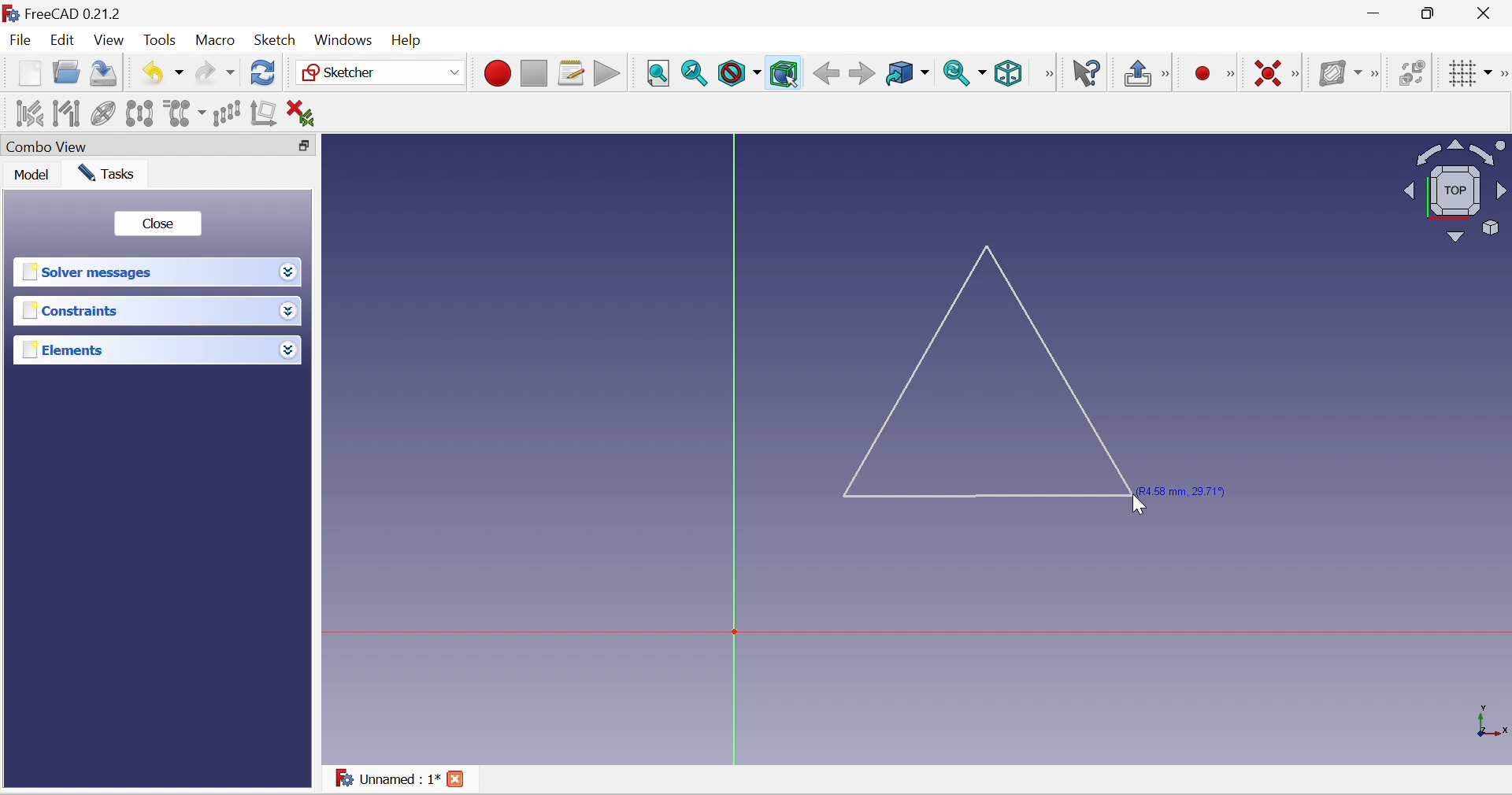 The width and height of the screenshot is (1512, 795). Describe the element at coordinates (1139, 75) in the screenshot. I see `Leave sketch` at that location.